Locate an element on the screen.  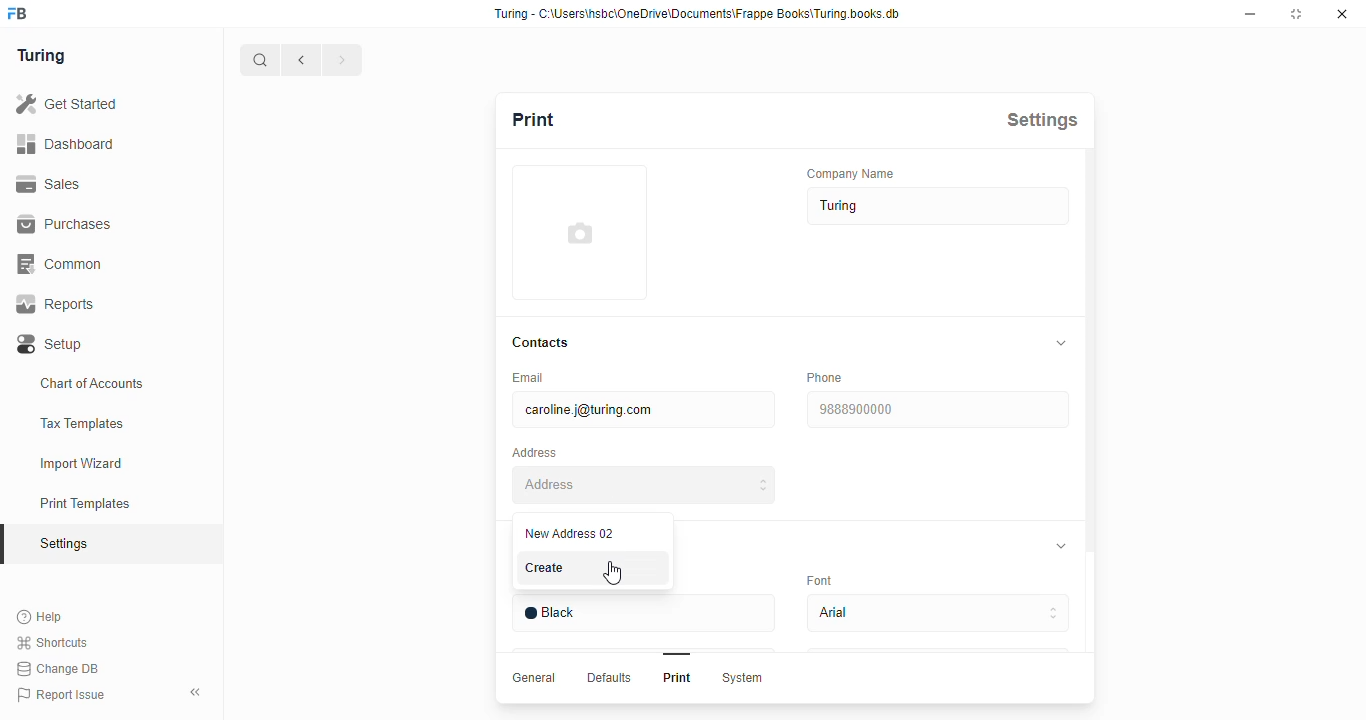
company name is located at coordinates (851, 173).